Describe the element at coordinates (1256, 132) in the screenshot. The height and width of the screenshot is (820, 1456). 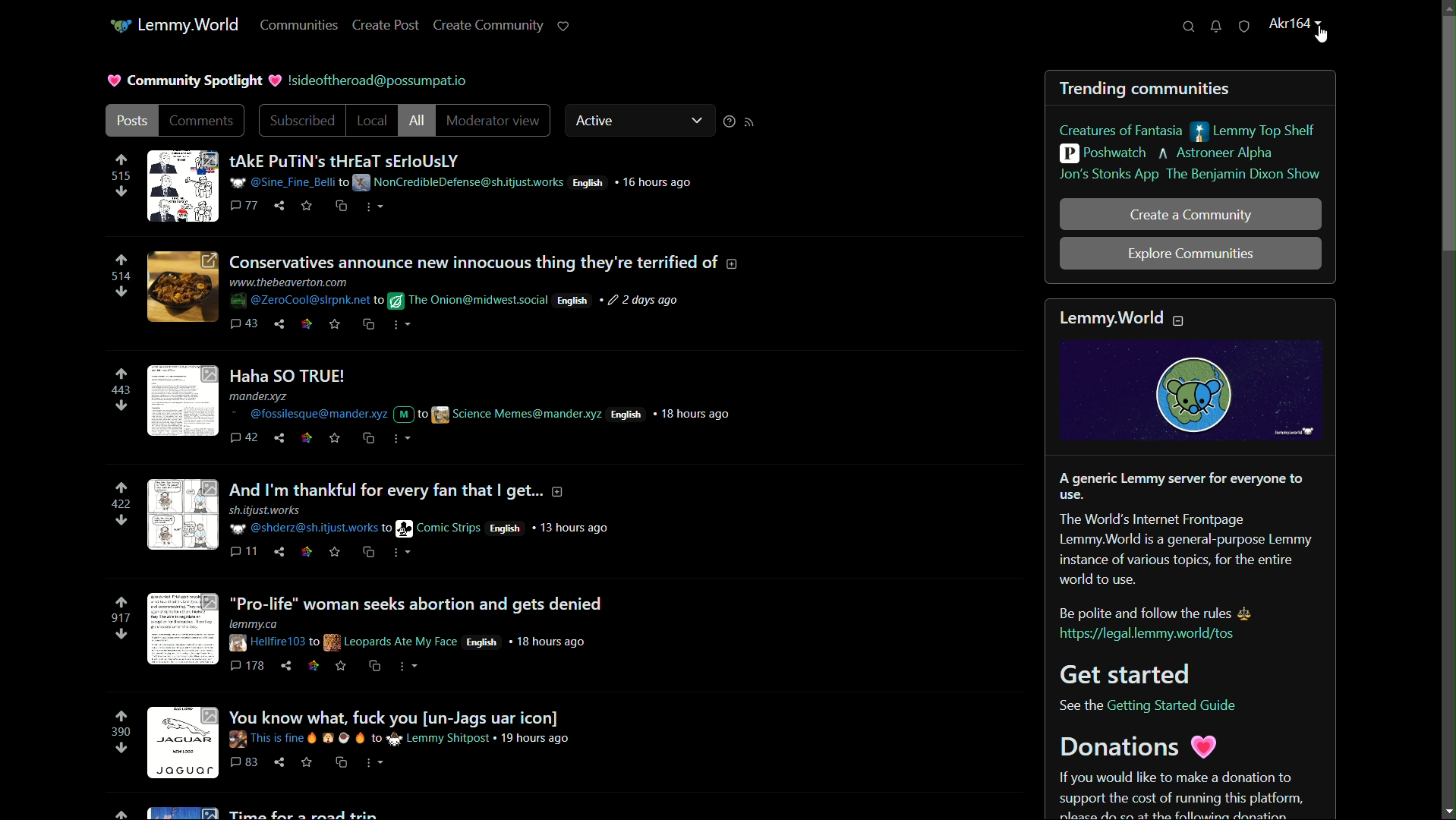
I see `lemmy top shelf` at that location.